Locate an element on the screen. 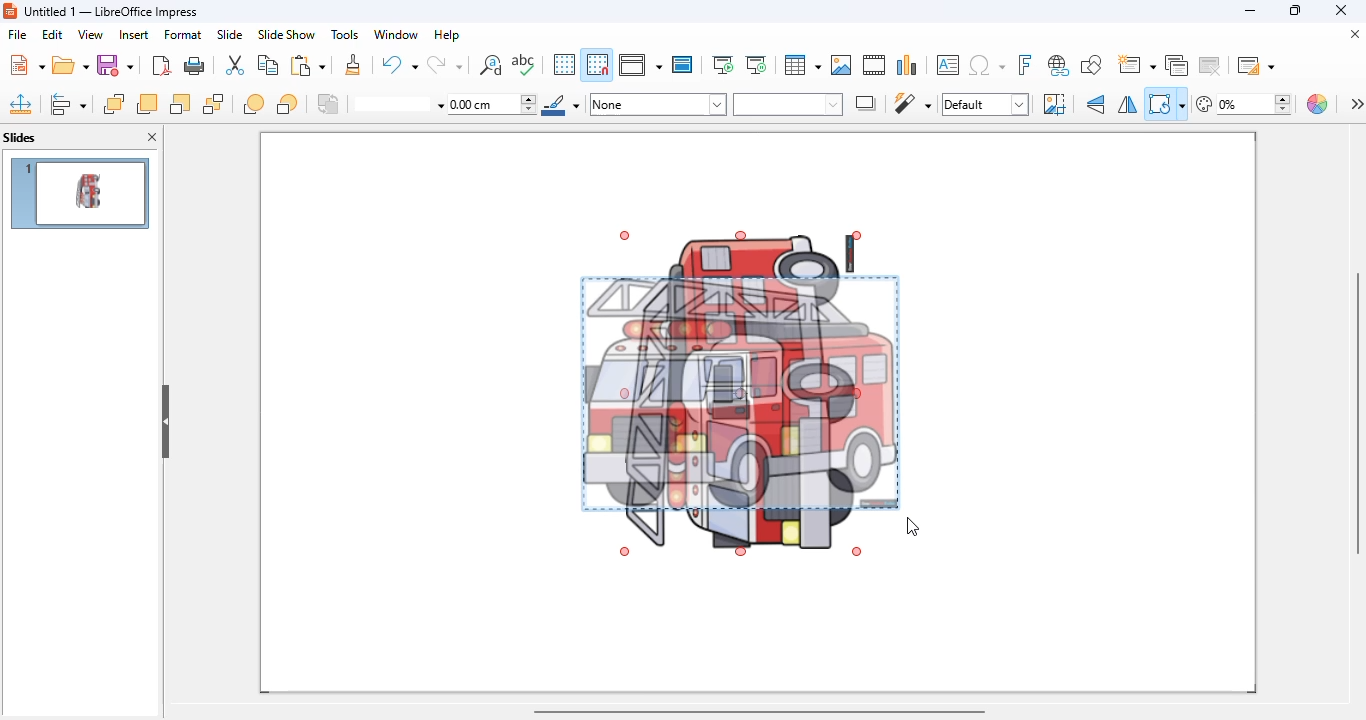  title is located at coordinates (111, 12).